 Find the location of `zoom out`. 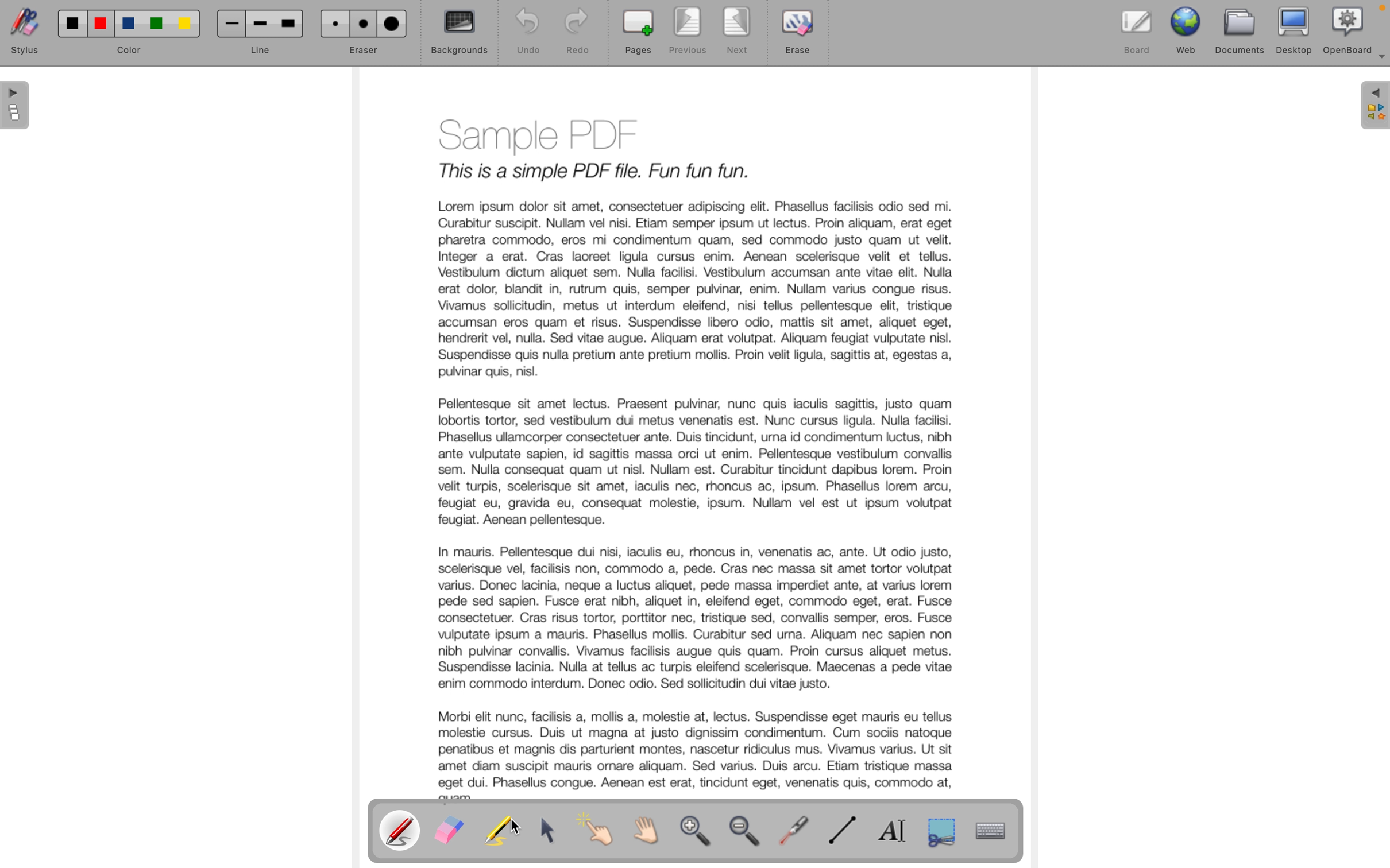

zoom out is located at coordinates (748, 834).